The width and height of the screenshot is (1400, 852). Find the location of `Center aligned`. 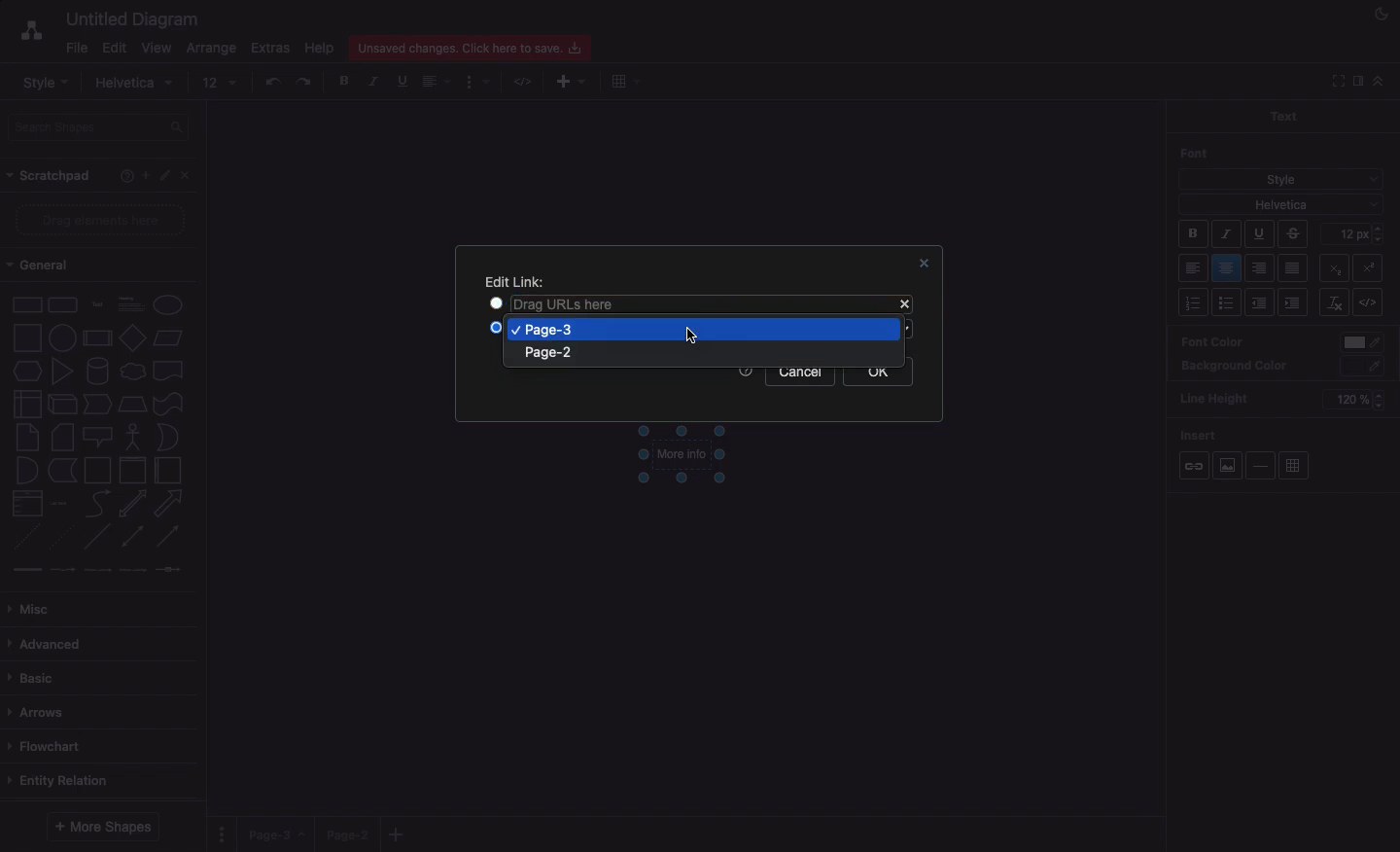

Center aligned is located at coordinates (1228, 268).